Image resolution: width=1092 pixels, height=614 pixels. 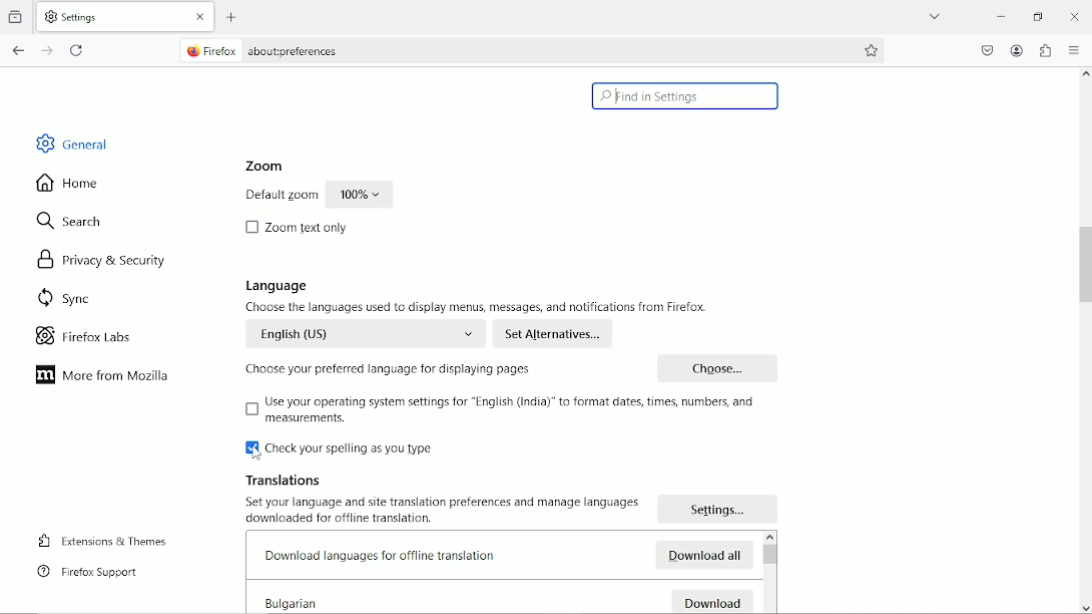 I want to click on Find in settings, so click(x=685, y=97).